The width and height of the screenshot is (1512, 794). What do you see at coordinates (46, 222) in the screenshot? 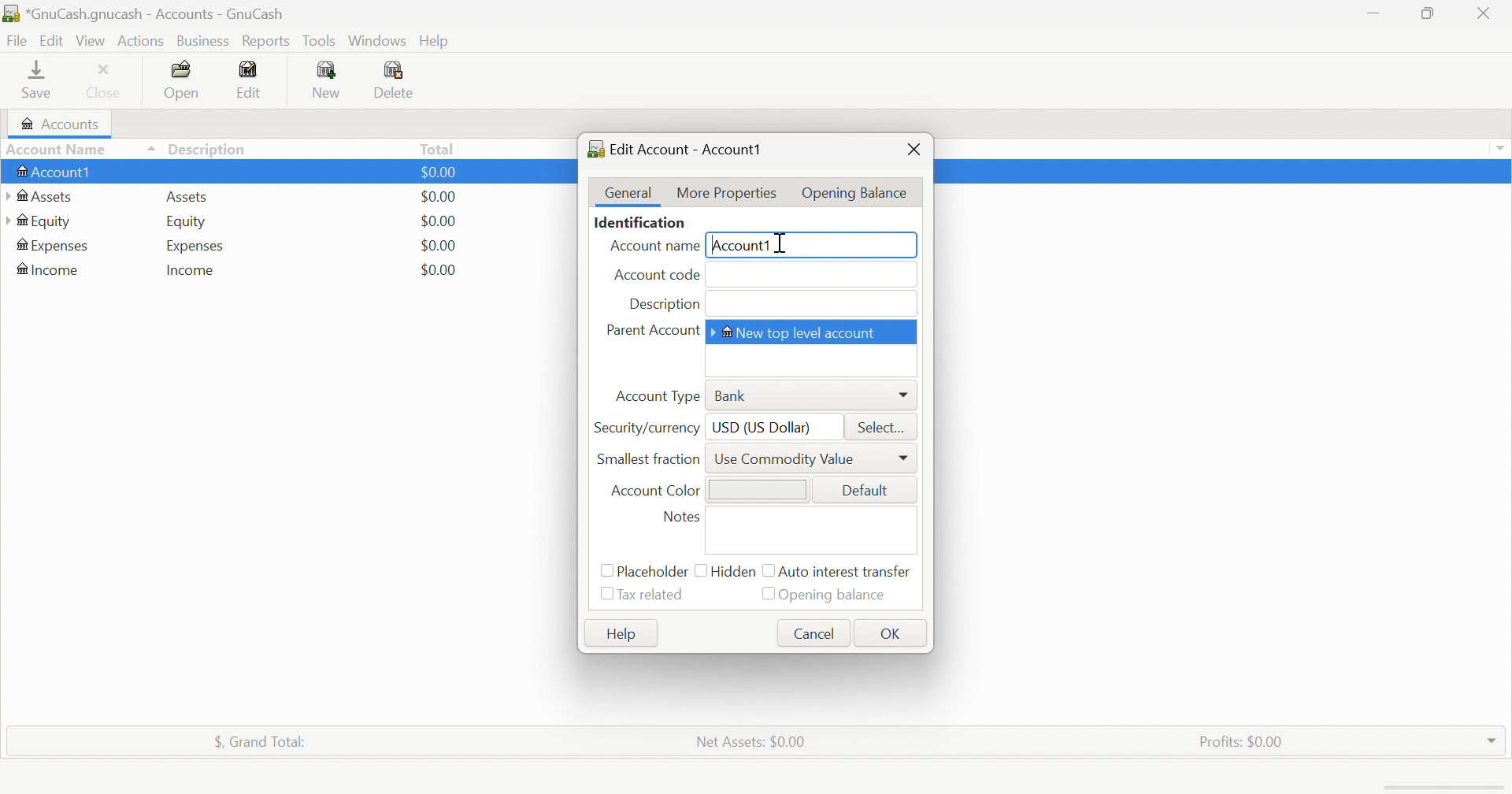
I see `Equity` at bounding box center [46, 222].